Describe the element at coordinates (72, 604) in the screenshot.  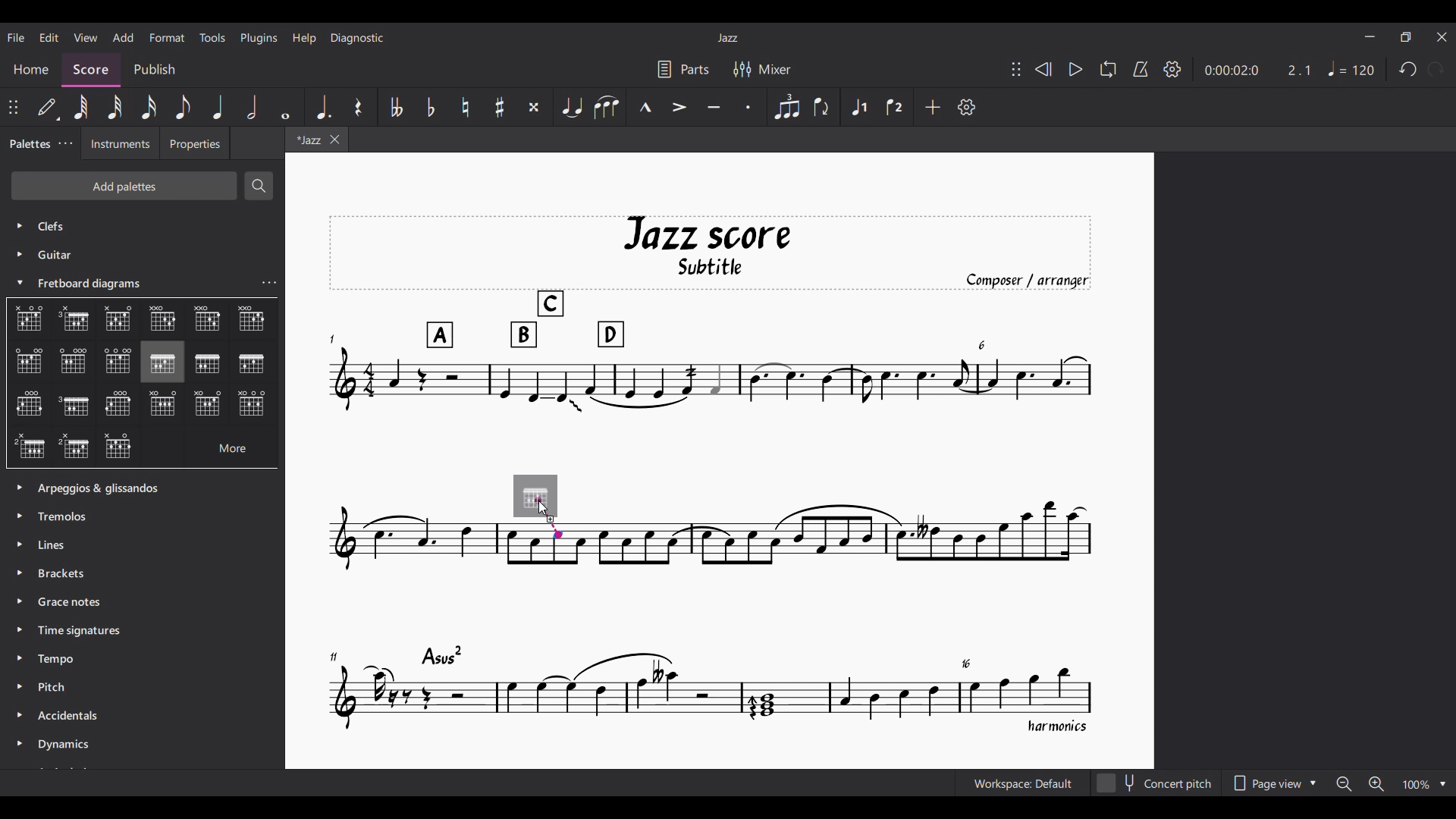
I see `Grace` at that location.